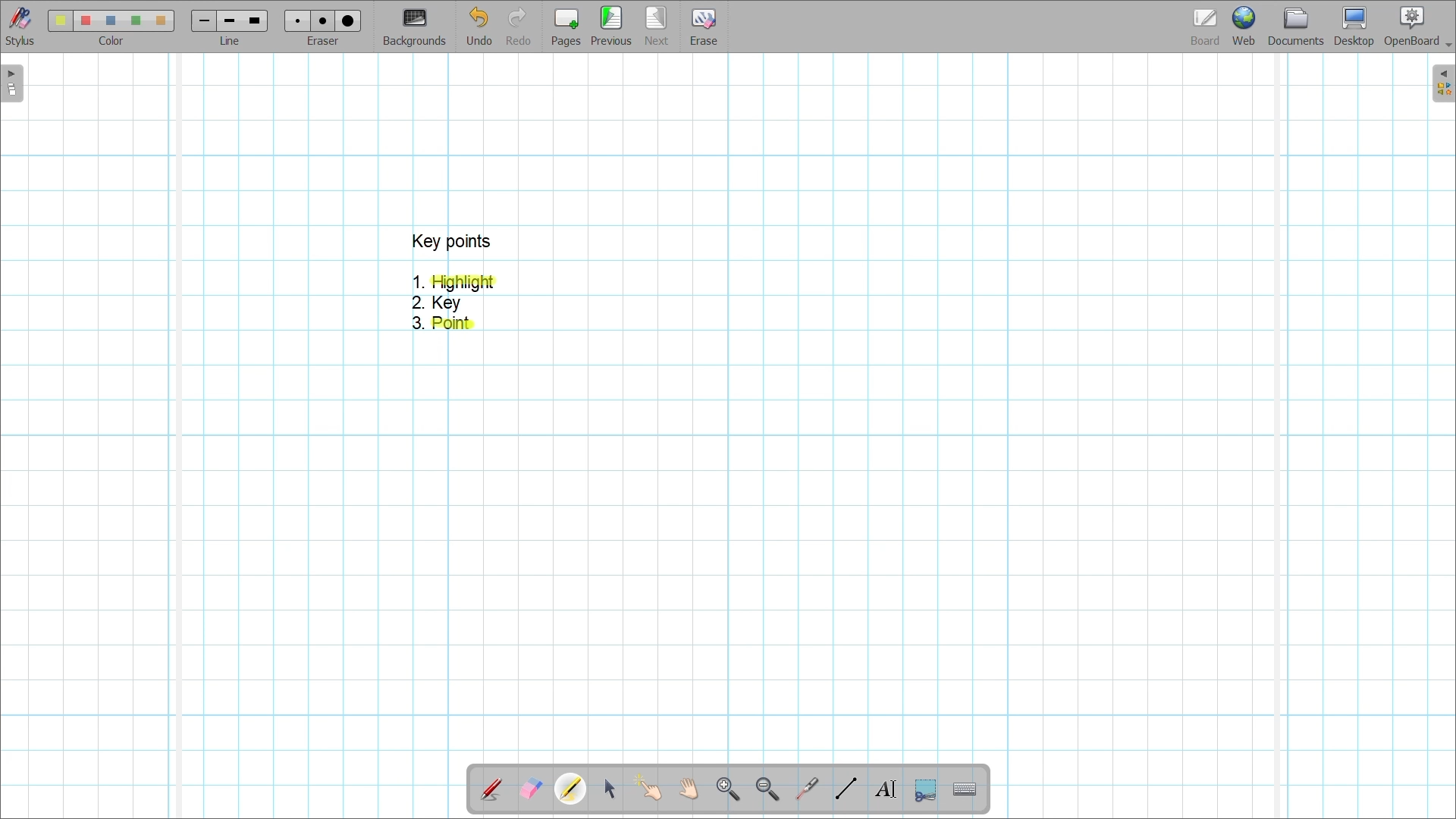 Image resolution: width=1456 pixels, height=819 pixels. I want to click on Use virtual laser, so click(806, 789).